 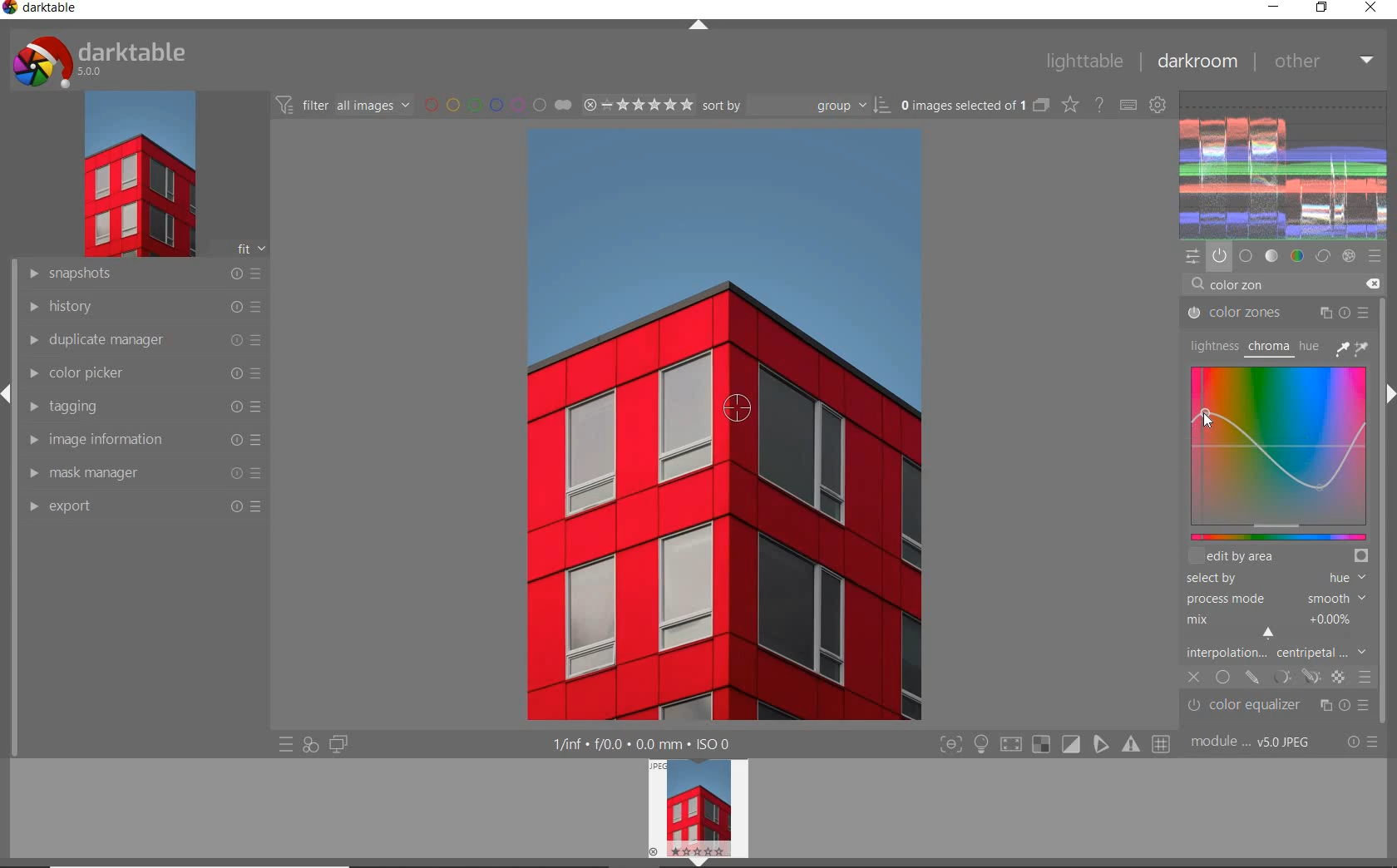 What do you see at coordinates (1285, 163) in the screenshot?
I see `waveform` at bounding box center [1285, 163].